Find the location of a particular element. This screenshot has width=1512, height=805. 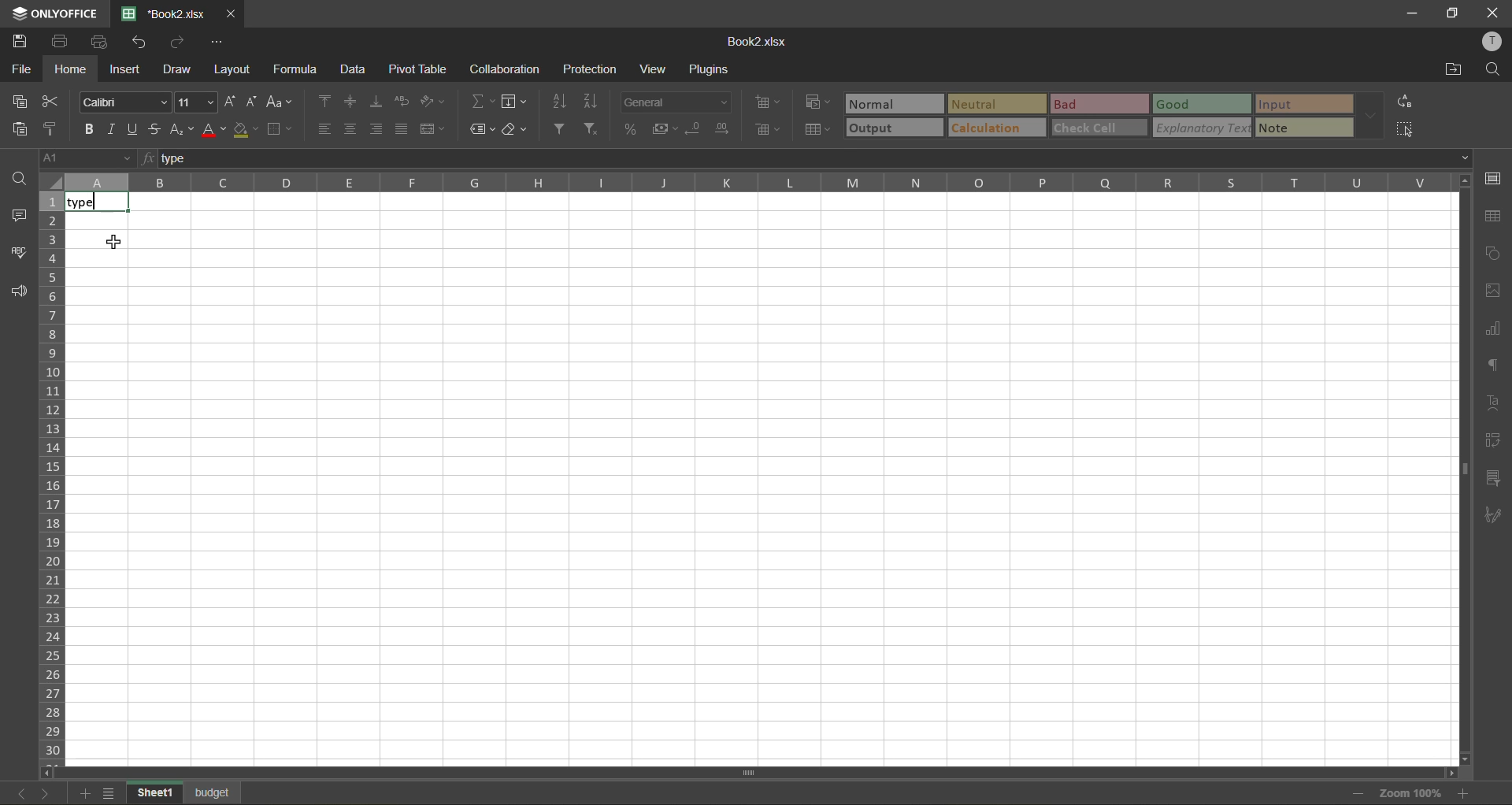

explanatory text is located at coordinates (1201, 129).